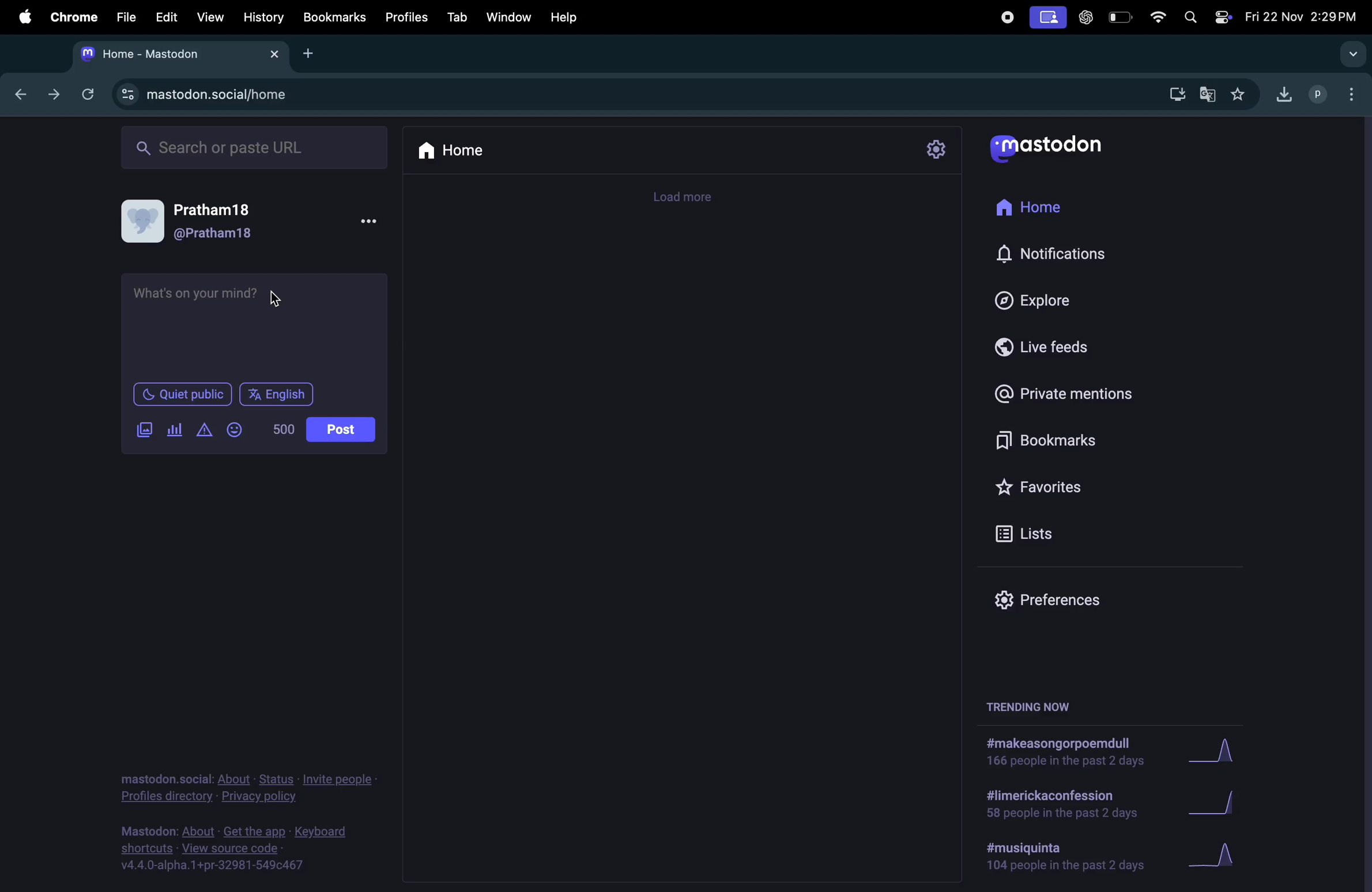 This screenshot has height=892, width=1372. Describe the element at coordinates (1222, 17) in the screenshot. I see `apple widgets` at that location.